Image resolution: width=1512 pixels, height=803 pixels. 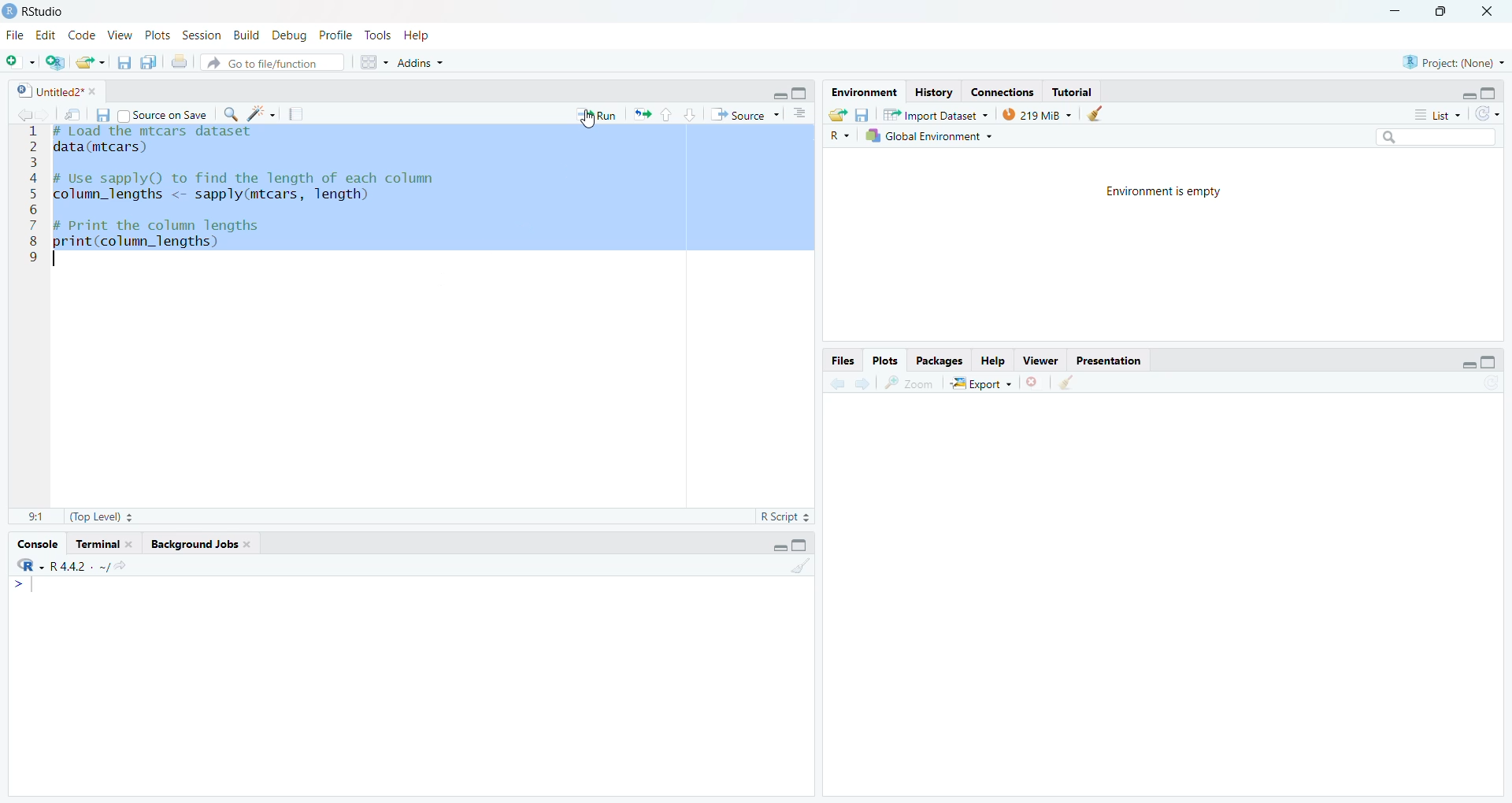 What do you see at coordinates (120, 35) in the screenshot?
I see `View` at bounding box center [120, 35].